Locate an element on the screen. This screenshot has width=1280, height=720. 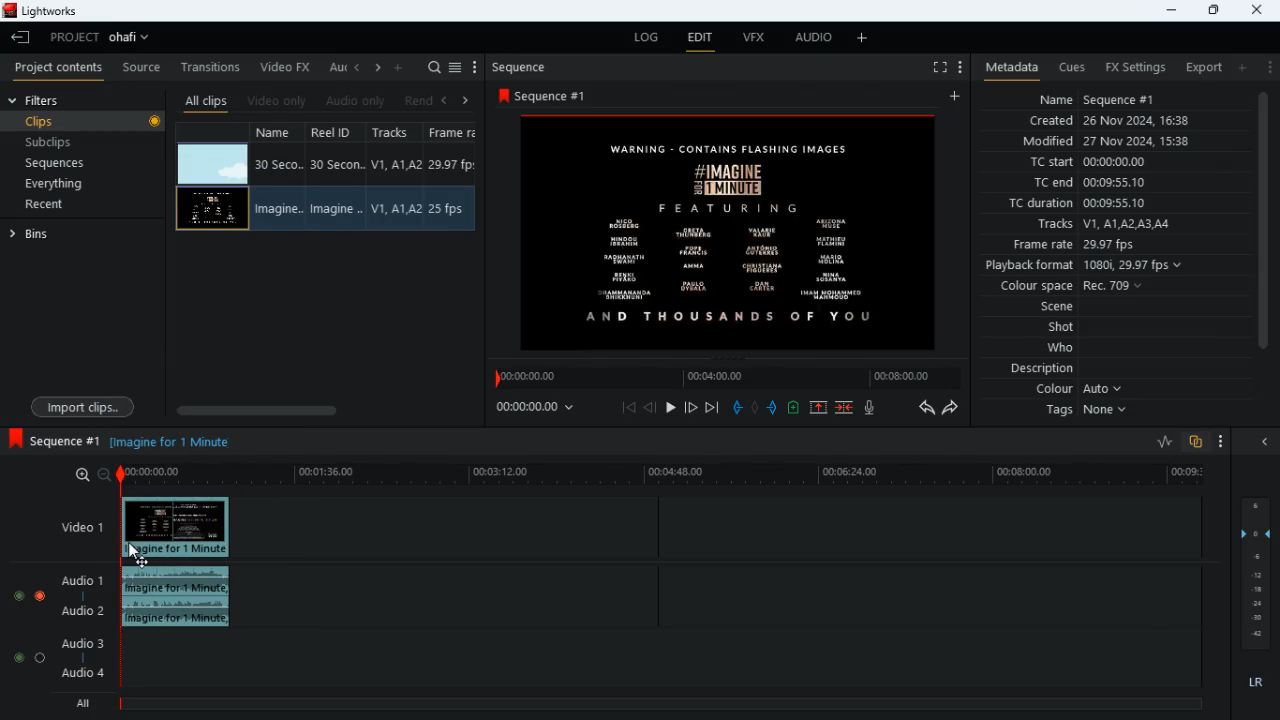
sequence is located at coordinates (522, 65).